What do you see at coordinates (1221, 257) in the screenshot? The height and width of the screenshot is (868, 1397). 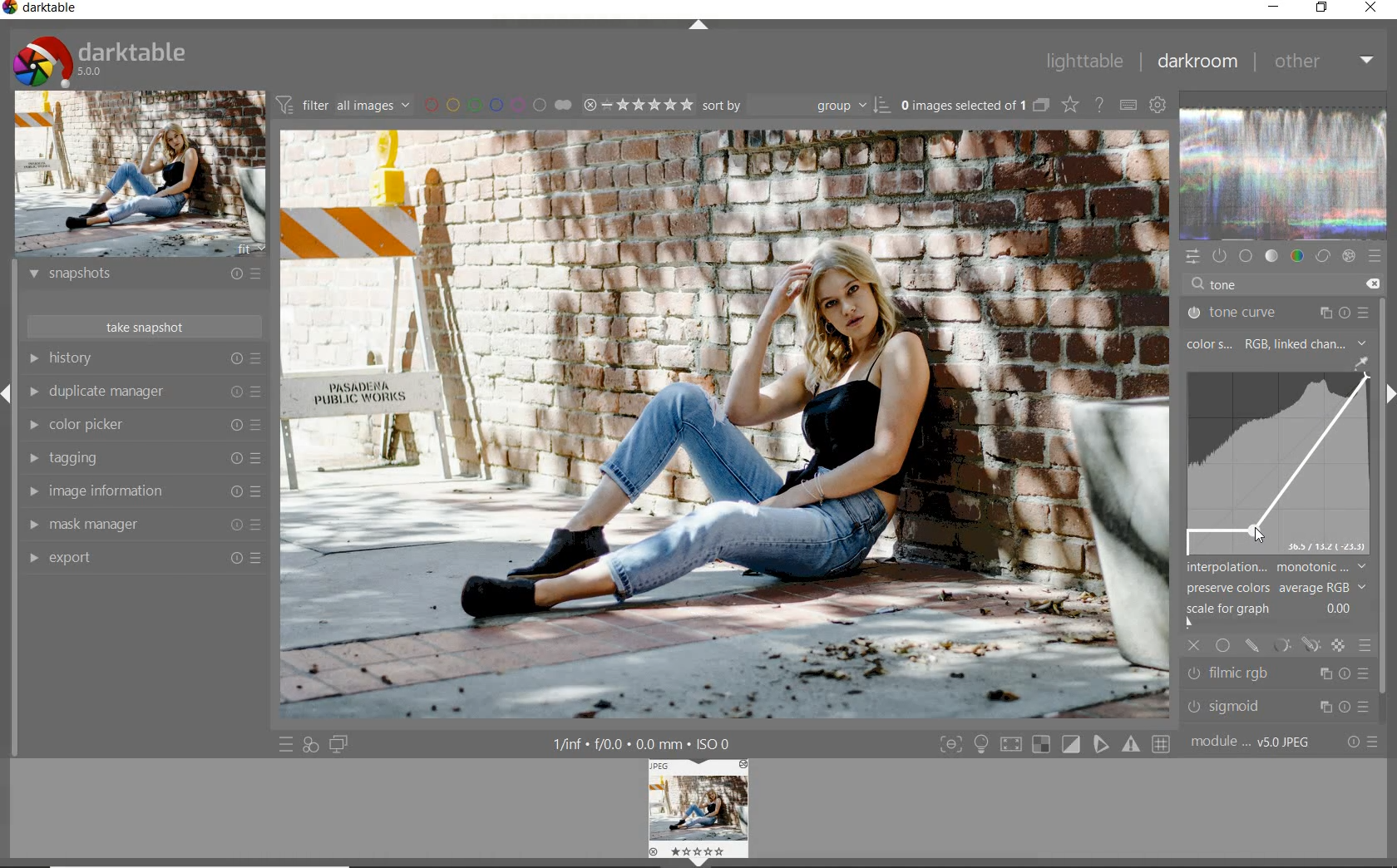 I see `show only active modules` at bounding box center [1221, 257].